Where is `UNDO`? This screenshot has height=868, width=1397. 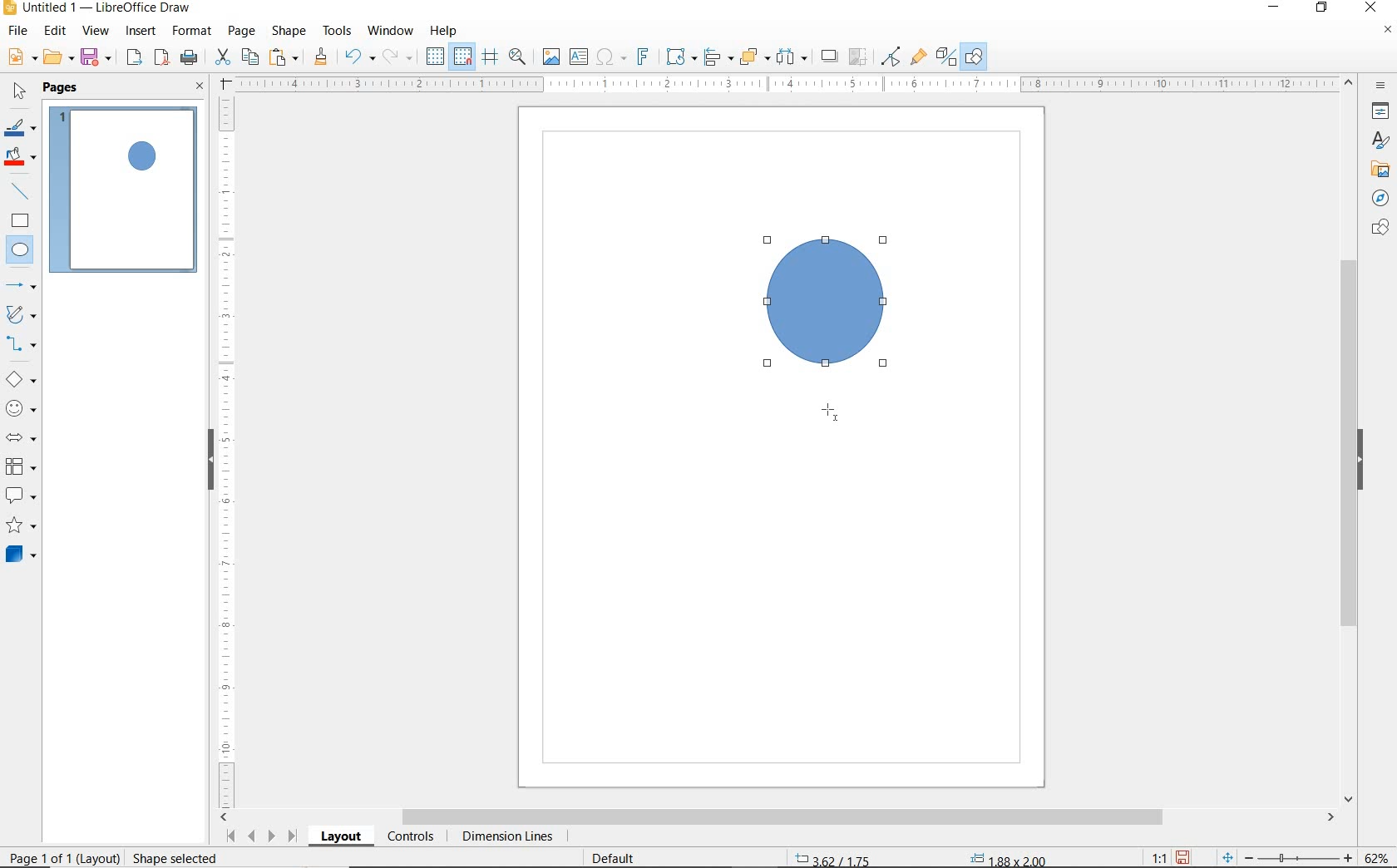 UNDO is located at coordinates (359, 58).